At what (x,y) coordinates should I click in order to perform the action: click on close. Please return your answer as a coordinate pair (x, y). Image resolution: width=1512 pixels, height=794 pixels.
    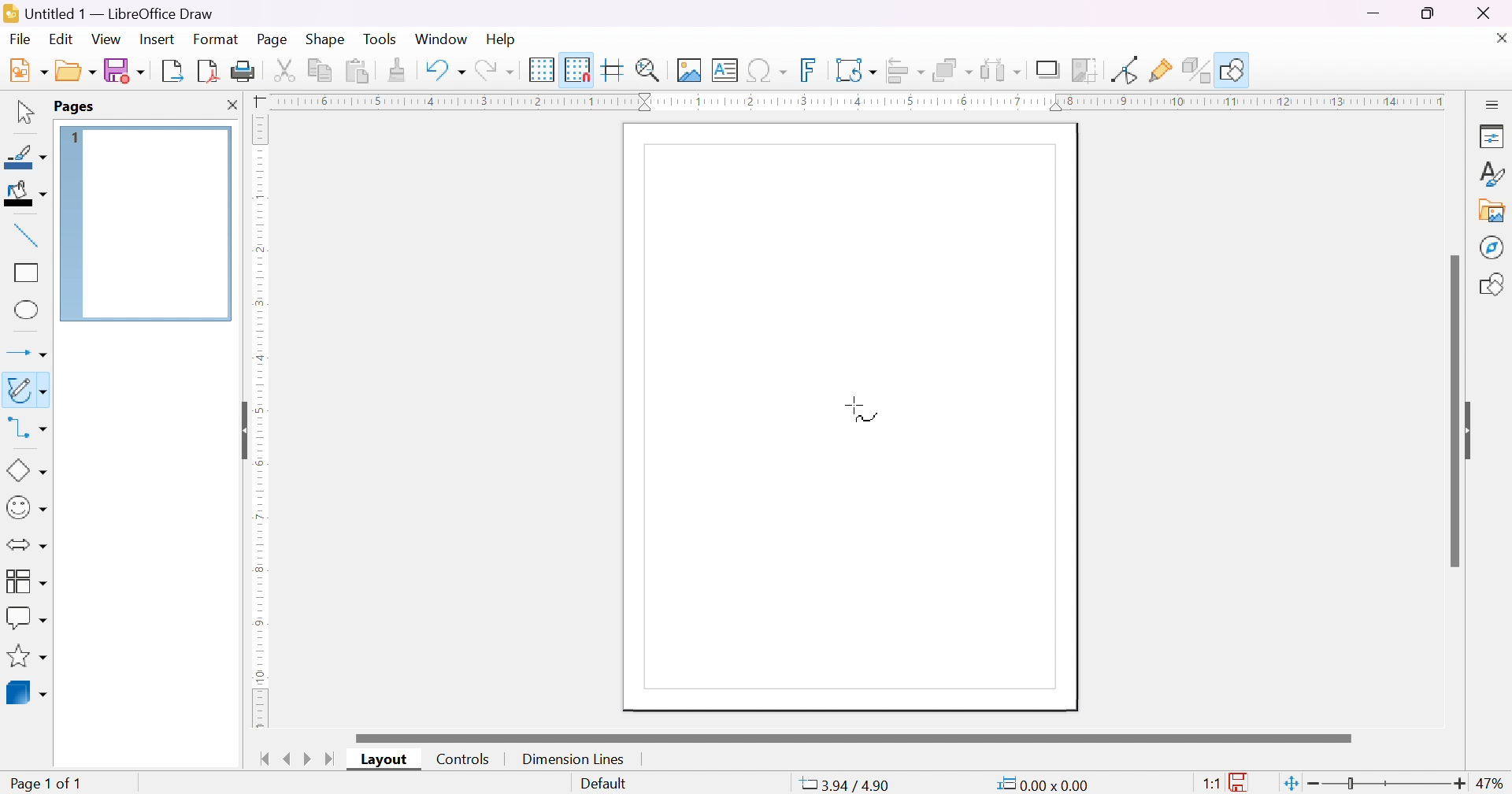
    Looking at the image, I should click on (1503, 38).